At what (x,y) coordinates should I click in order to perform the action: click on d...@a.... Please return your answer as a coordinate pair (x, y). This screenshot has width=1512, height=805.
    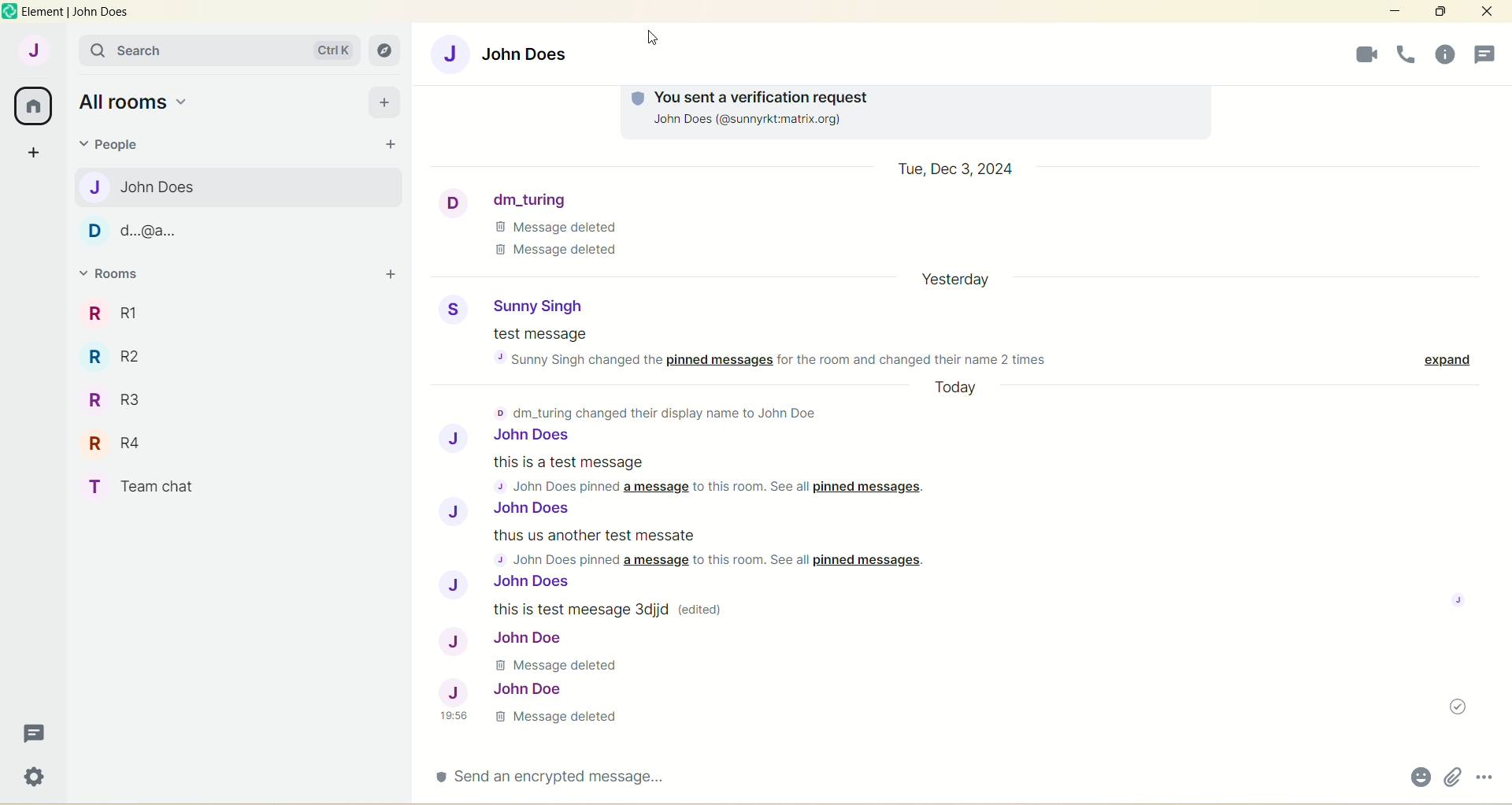
    Looking at the image, I should click on (136, 232).